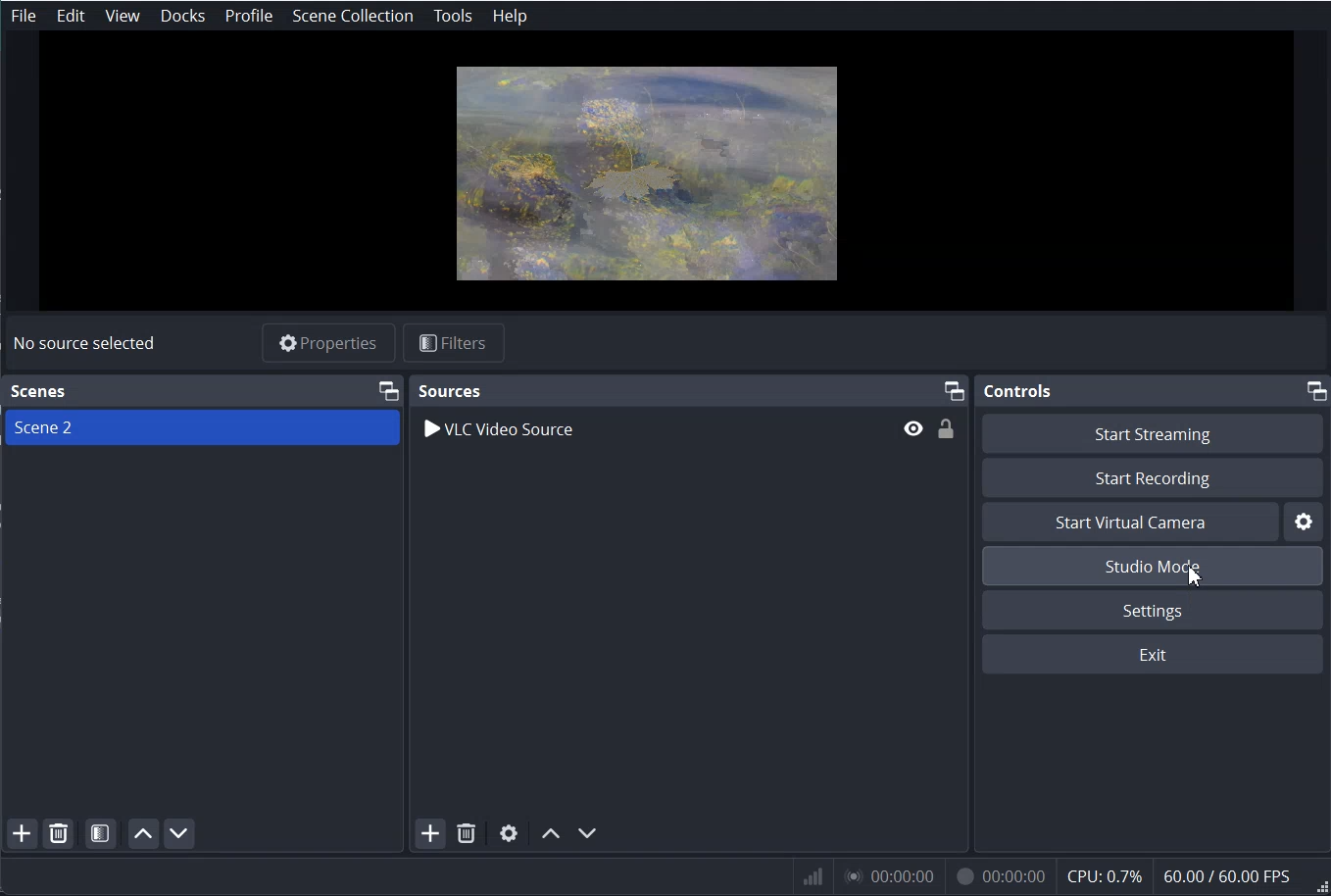  I want to click on Settings, so click(1306, 521).